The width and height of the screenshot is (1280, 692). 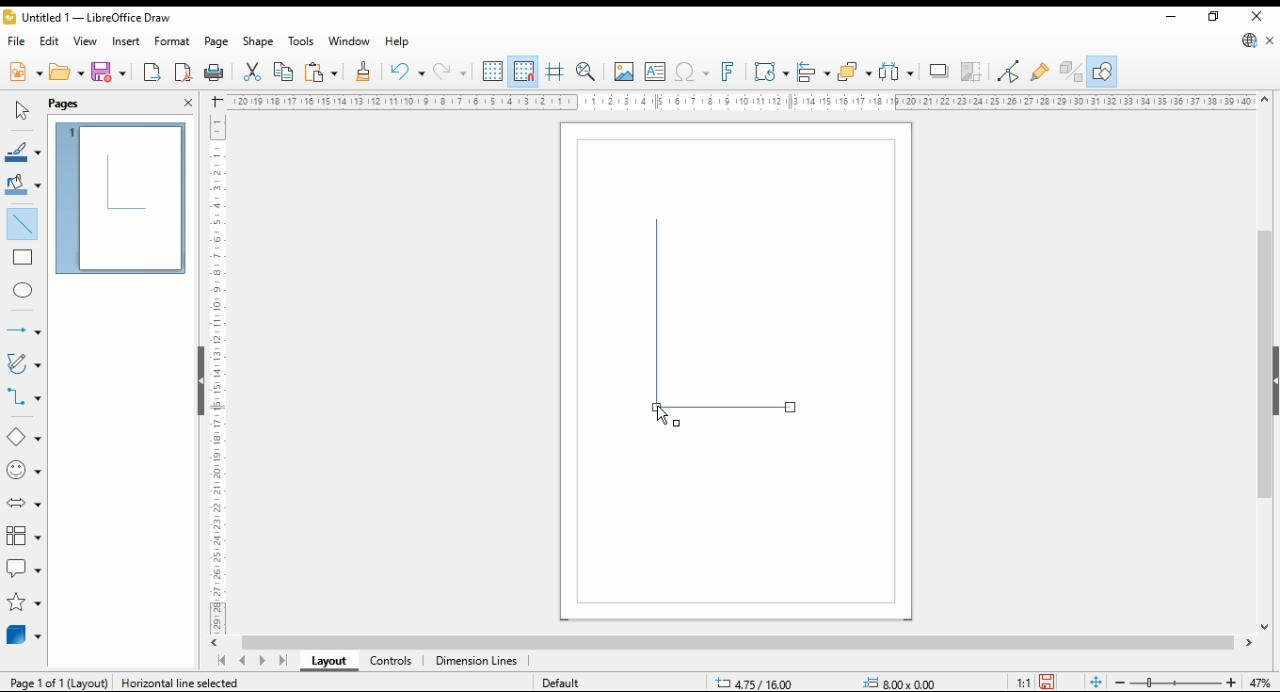 I want to click on ellipse, so click(x=25, y=290).